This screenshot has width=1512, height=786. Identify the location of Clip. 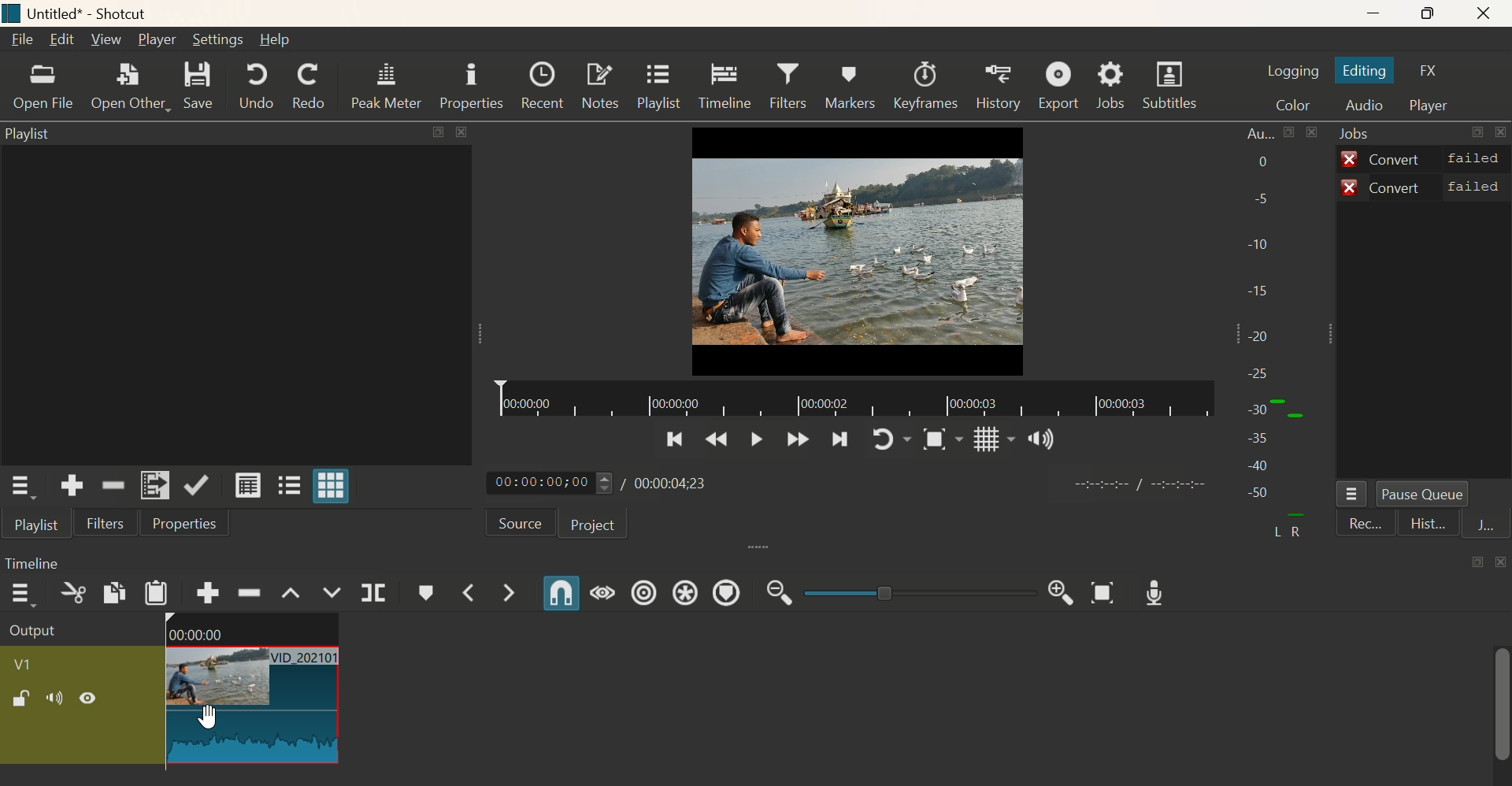
(171, 692).